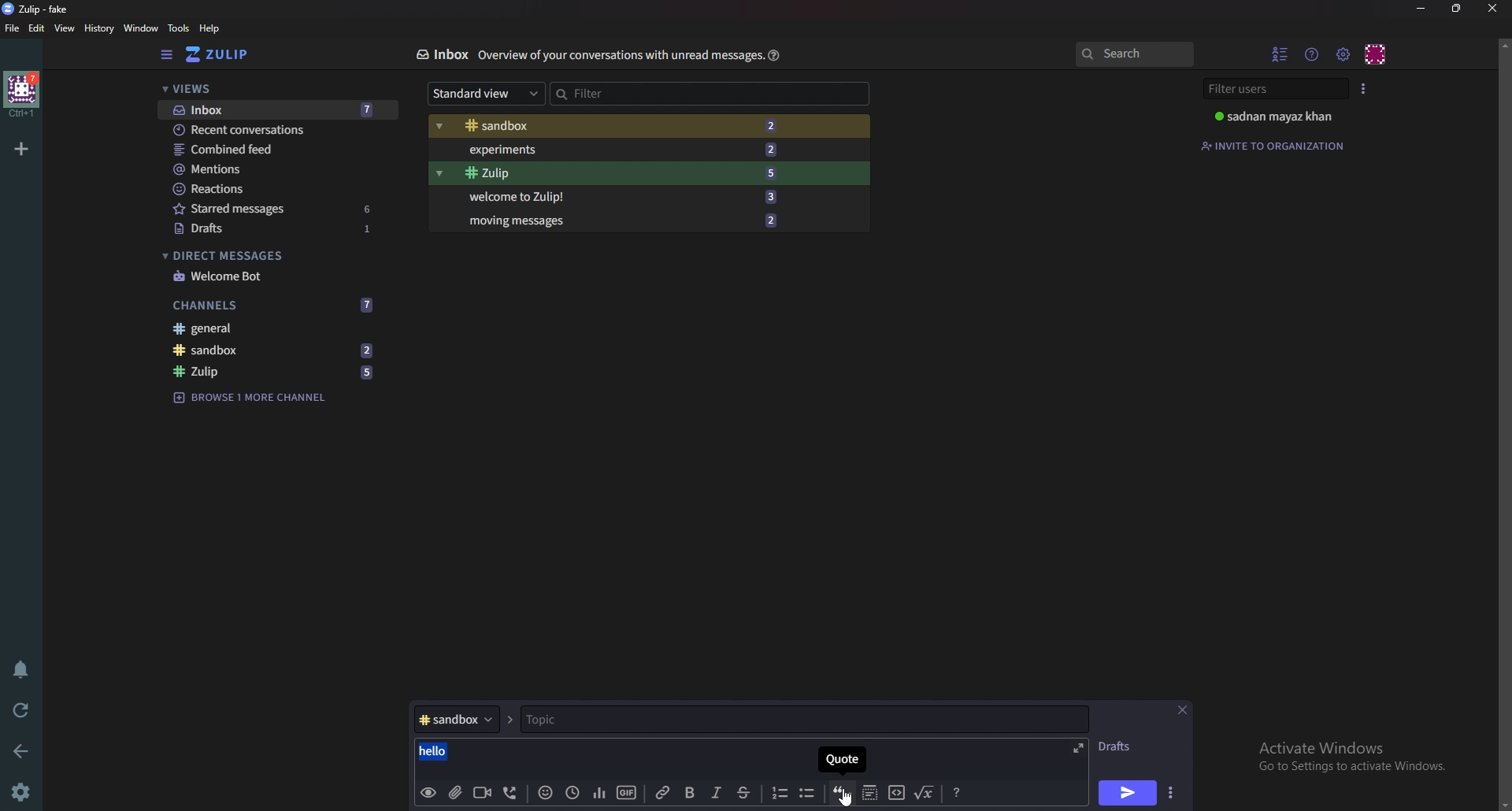 The image size is (1512, 811). Describe the element at coordinates (780, 792) in the screenshot. I see `Number list` at that location.